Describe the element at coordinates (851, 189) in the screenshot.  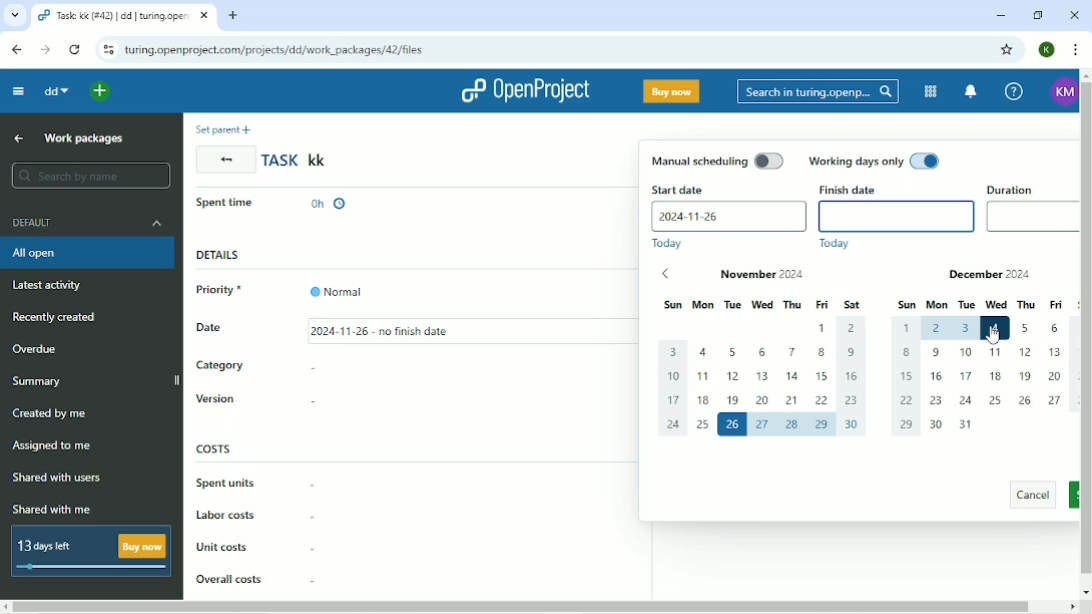
I see `Finish date` at that location.